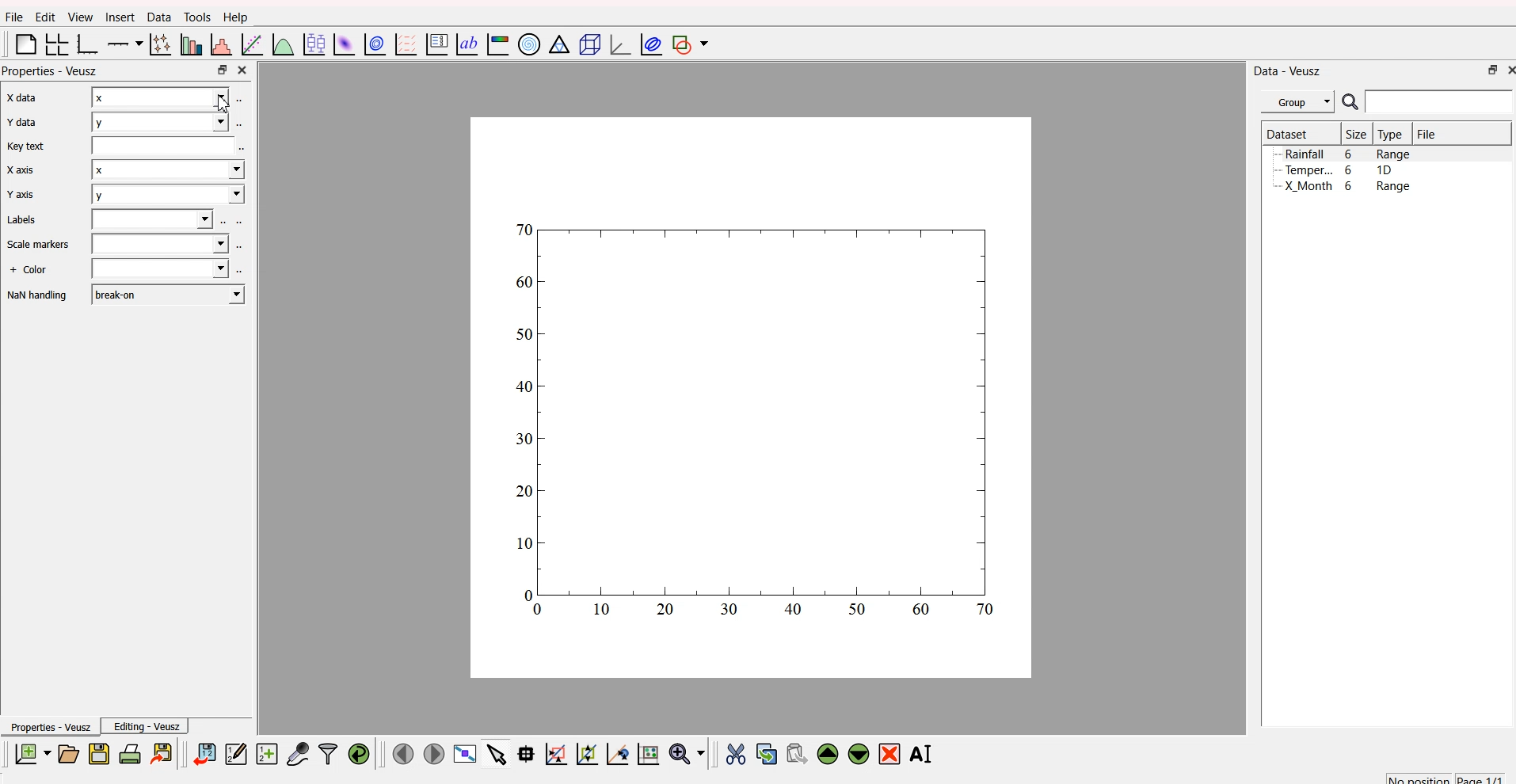  I want to click on Edit, so click(43, 17).